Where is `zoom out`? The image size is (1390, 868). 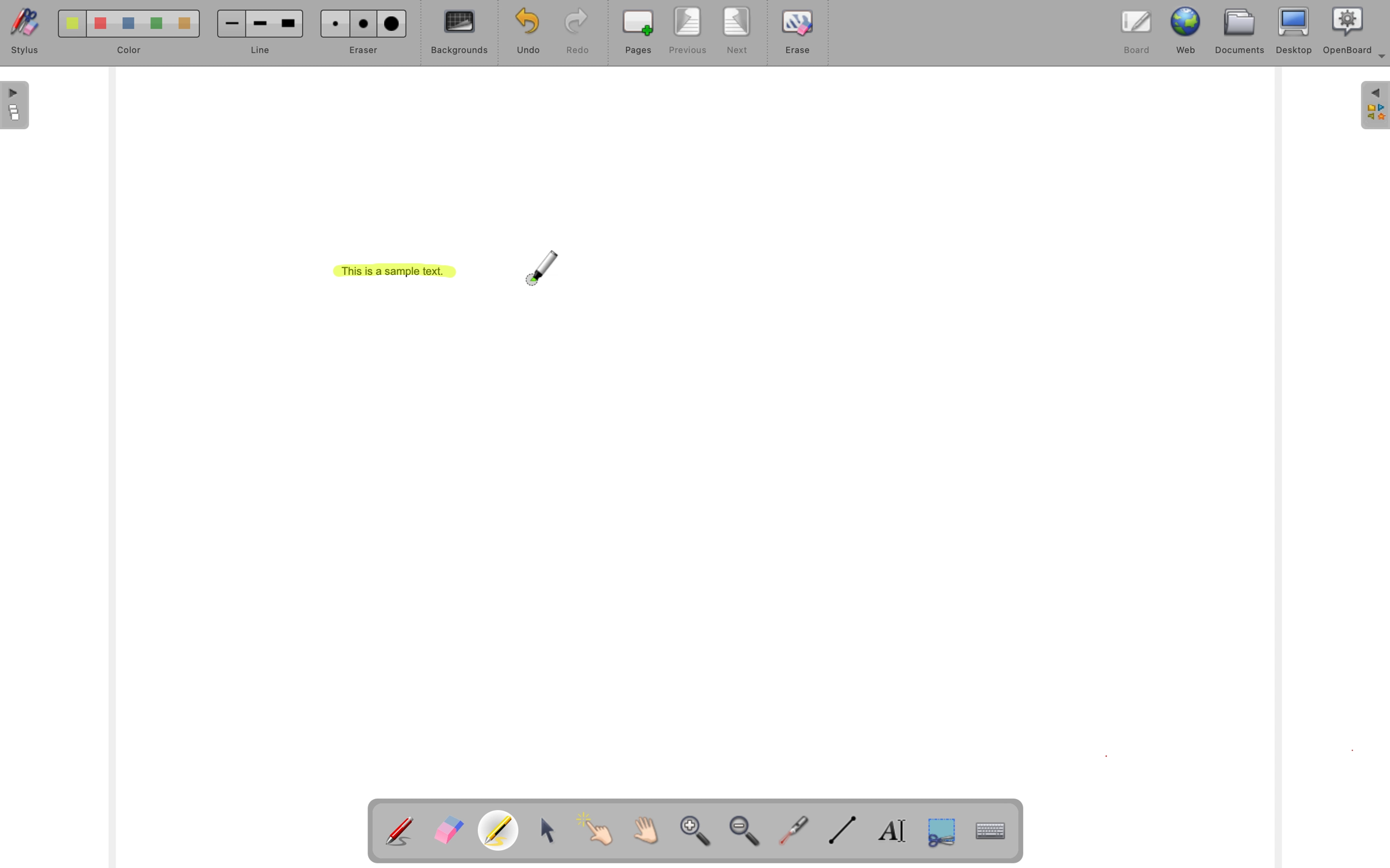 zoom out is located at coordinates (747, 831).